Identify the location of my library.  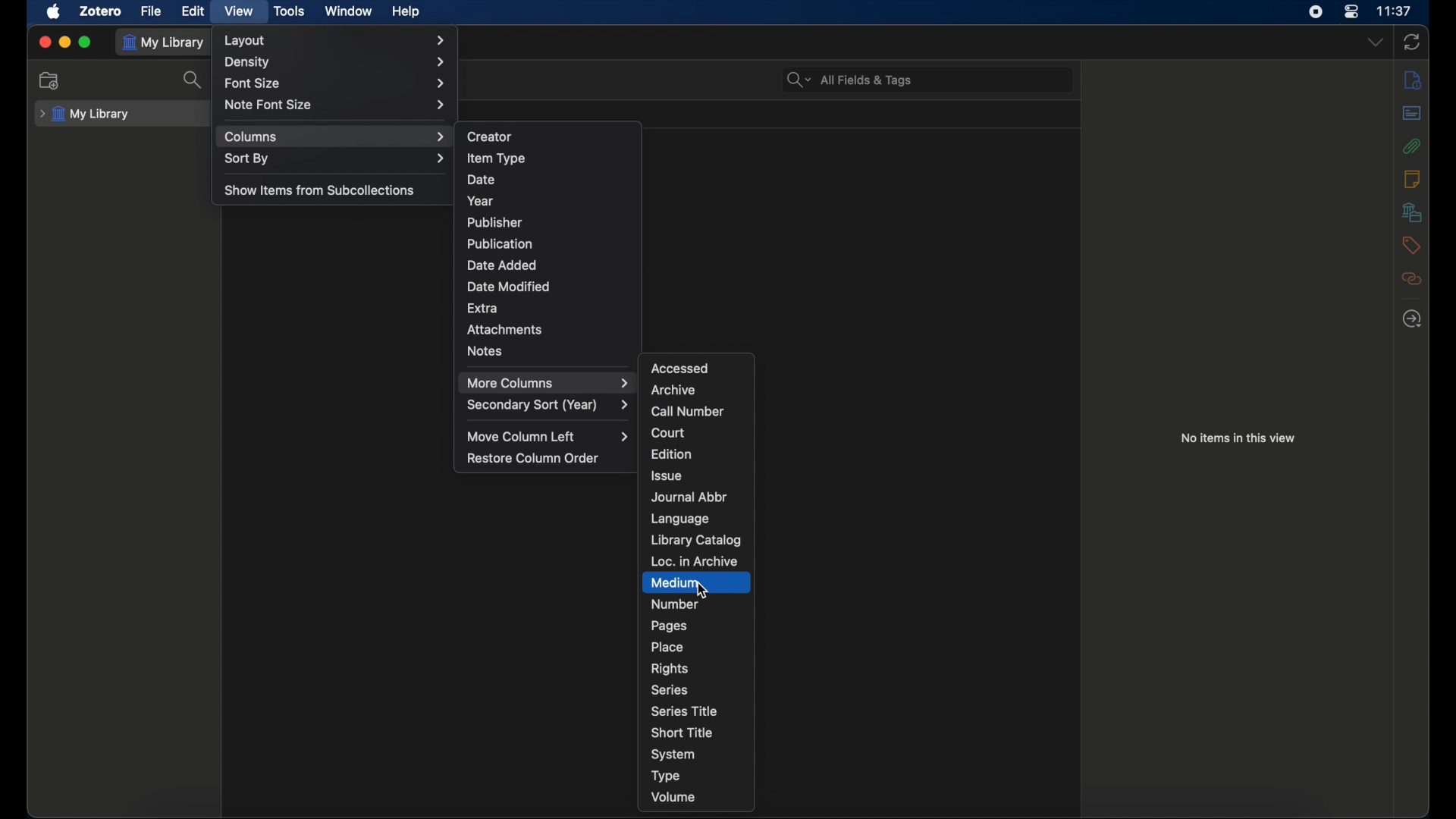
(164, 42).